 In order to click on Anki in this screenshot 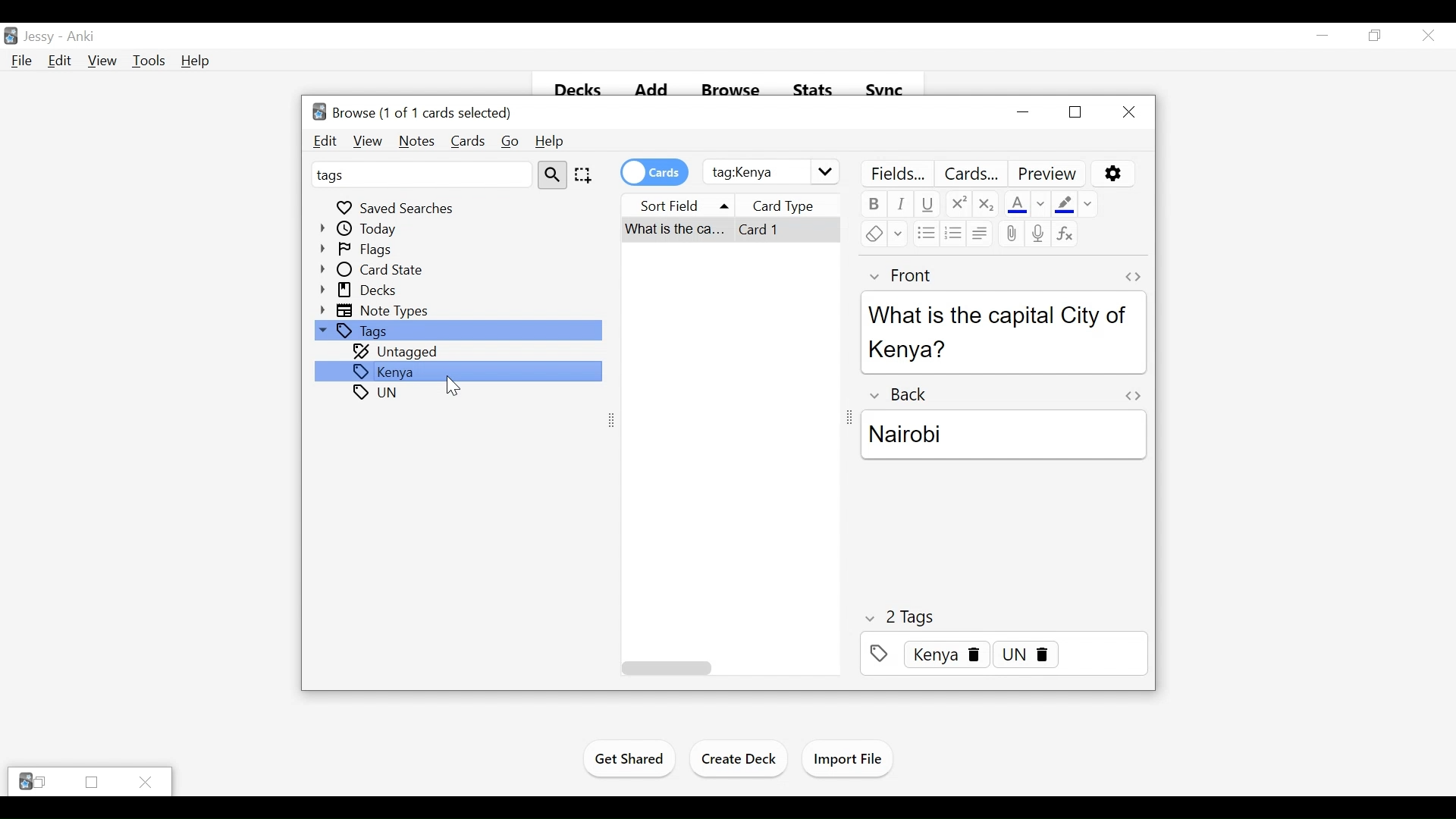, I will do `click(80, 37)`.